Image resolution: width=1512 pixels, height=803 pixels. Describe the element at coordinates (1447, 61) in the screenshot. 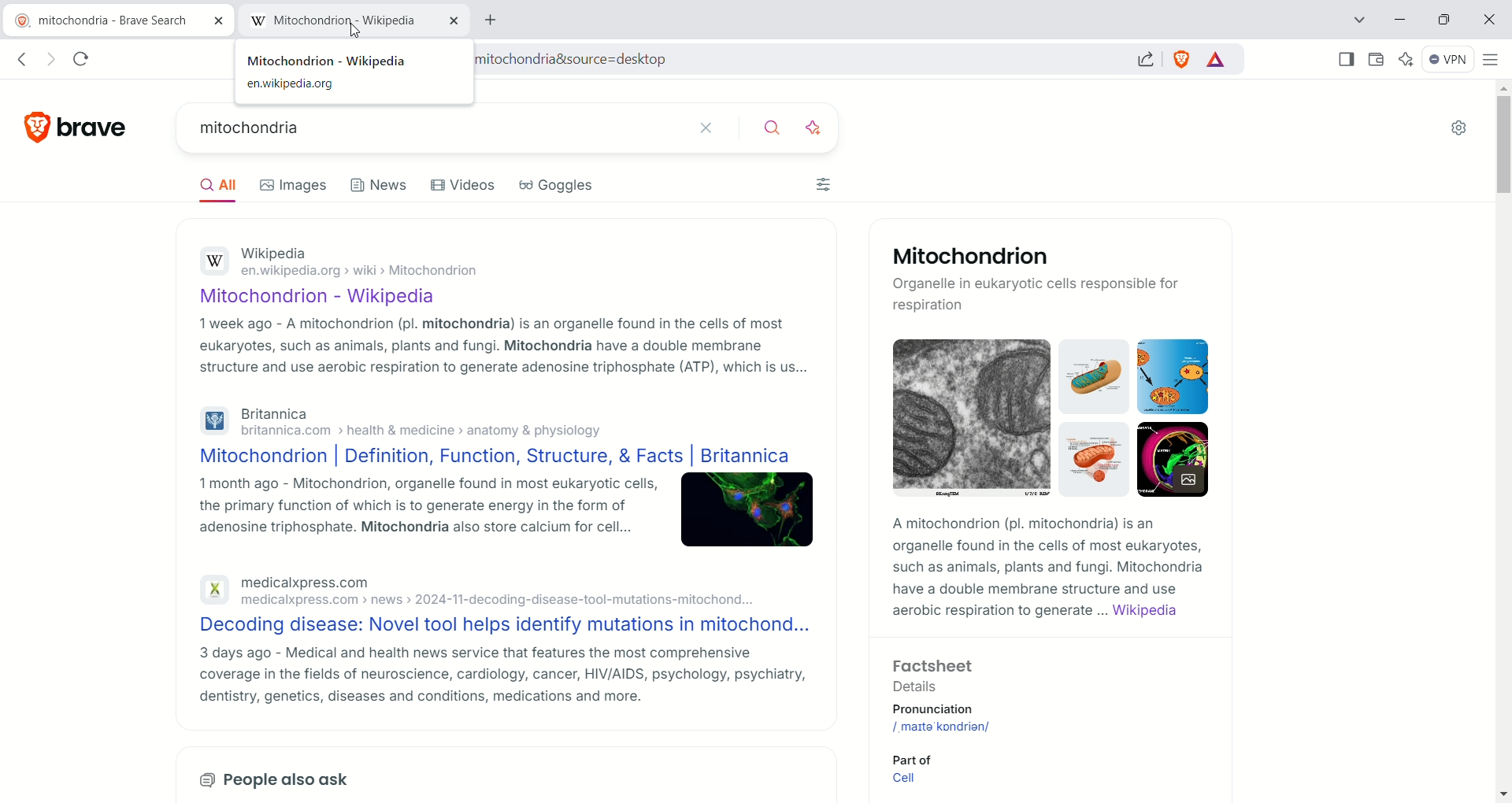

I see `VPN` at that location.